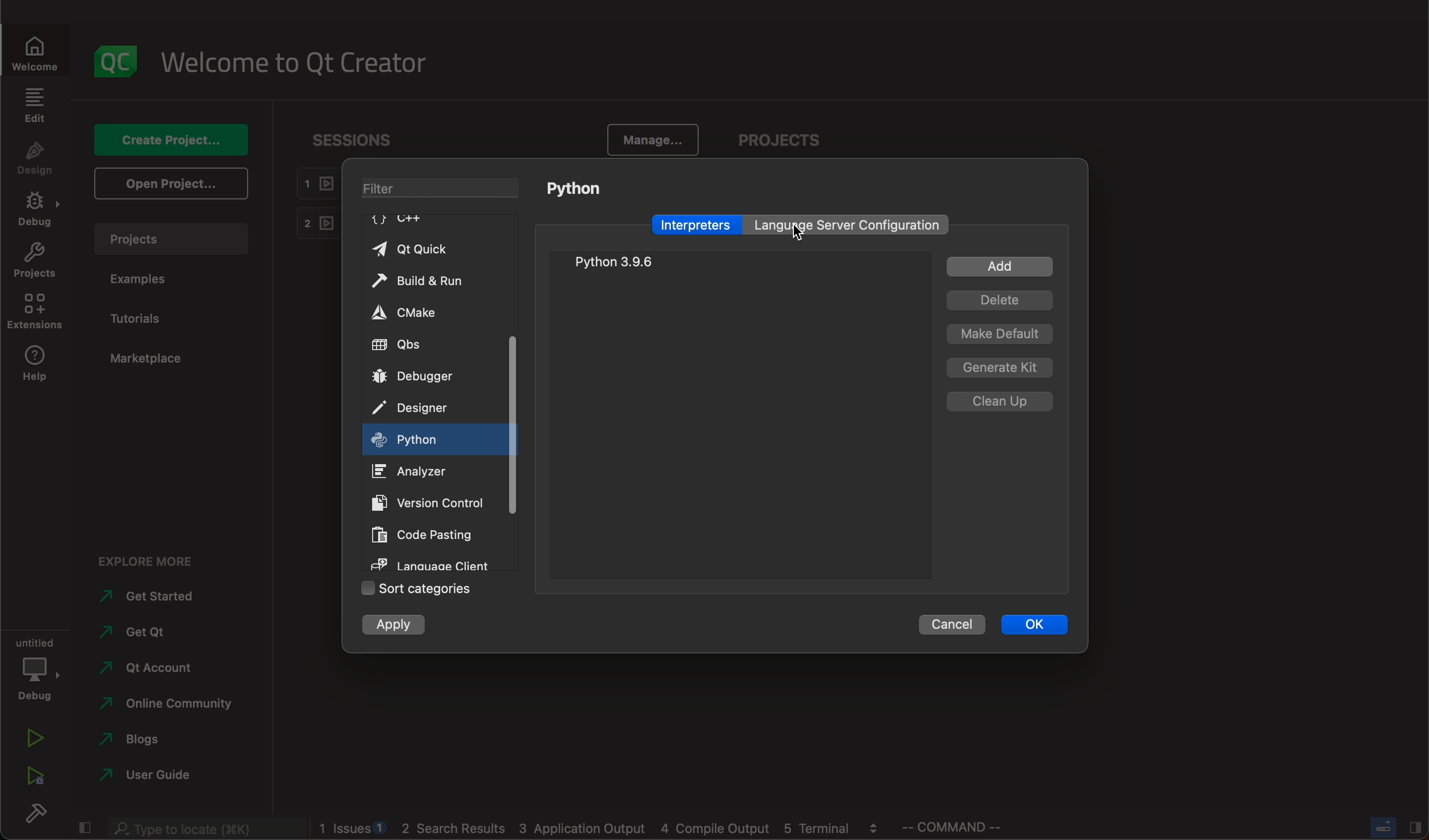 The image size is (1429, 840). Describe the element at coordinates (429, 562) in the screenshot. I see `language` at that location.